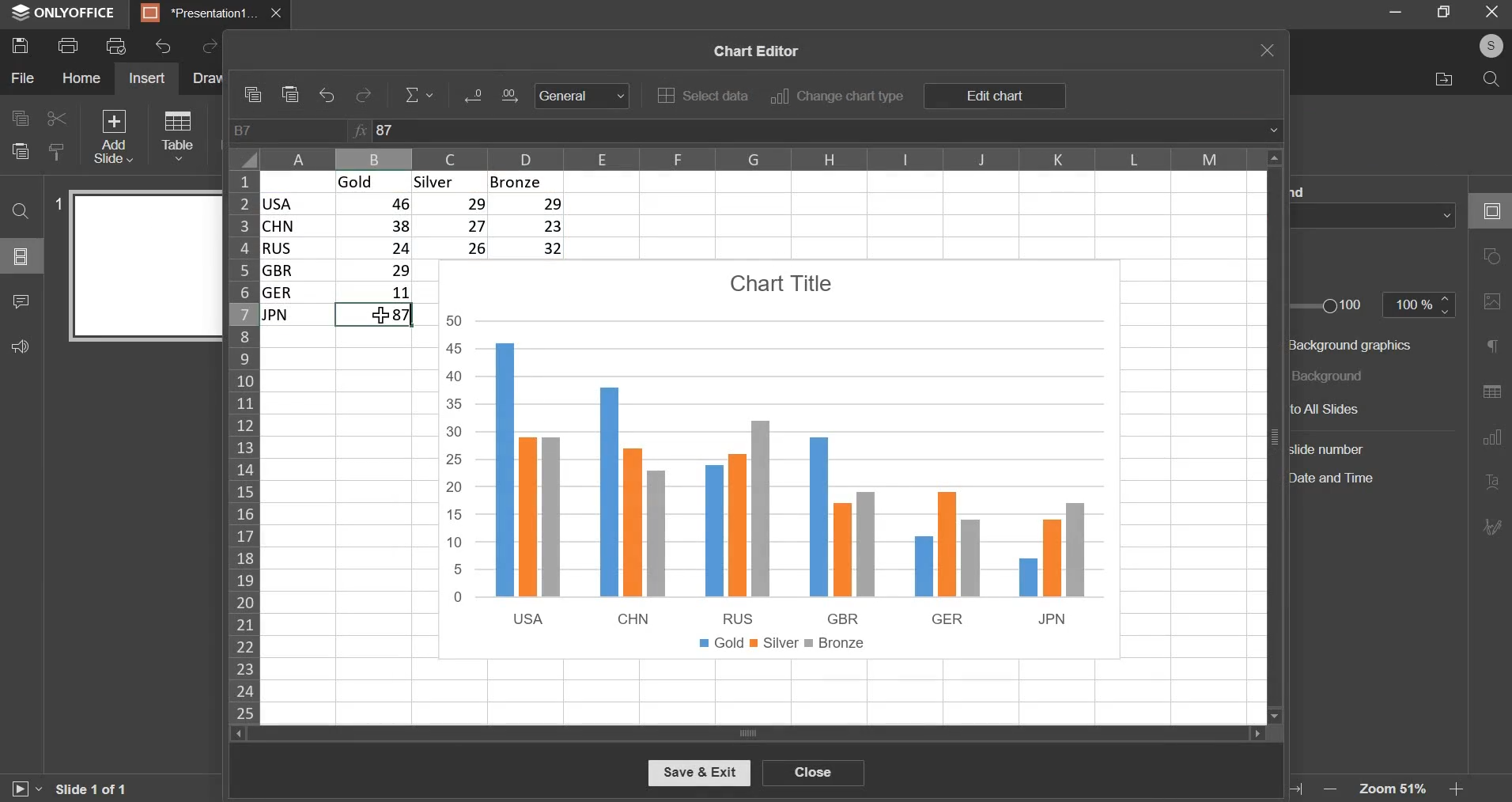 Image resolution: width=1512 pixels, height=802 pixels. What do you see at coordinates (1492, 528) in the screenshot?
I see `signature` at bounding box center [1492, 528].